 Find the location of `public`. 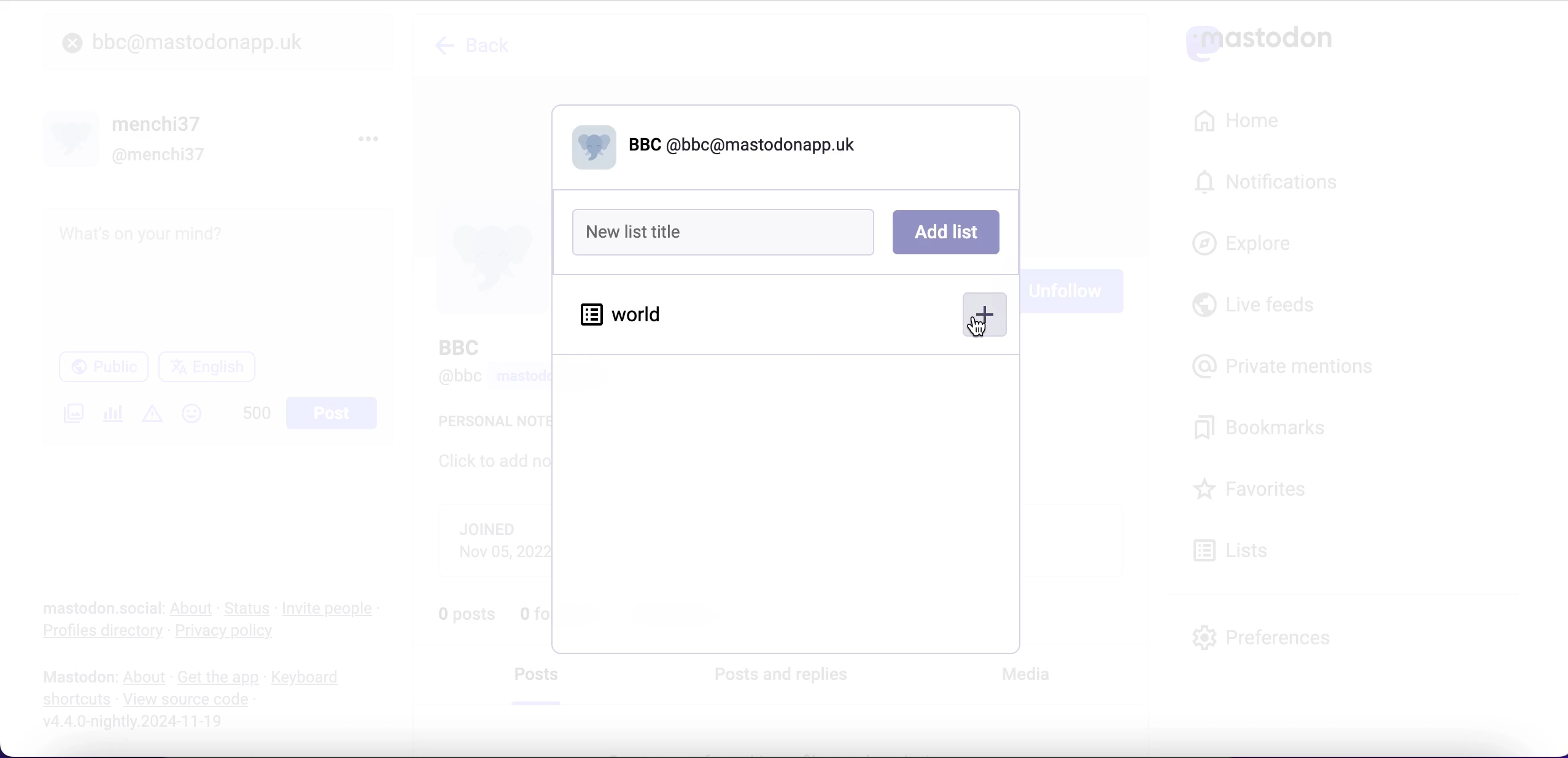

public is located at coordinates (102, 370).